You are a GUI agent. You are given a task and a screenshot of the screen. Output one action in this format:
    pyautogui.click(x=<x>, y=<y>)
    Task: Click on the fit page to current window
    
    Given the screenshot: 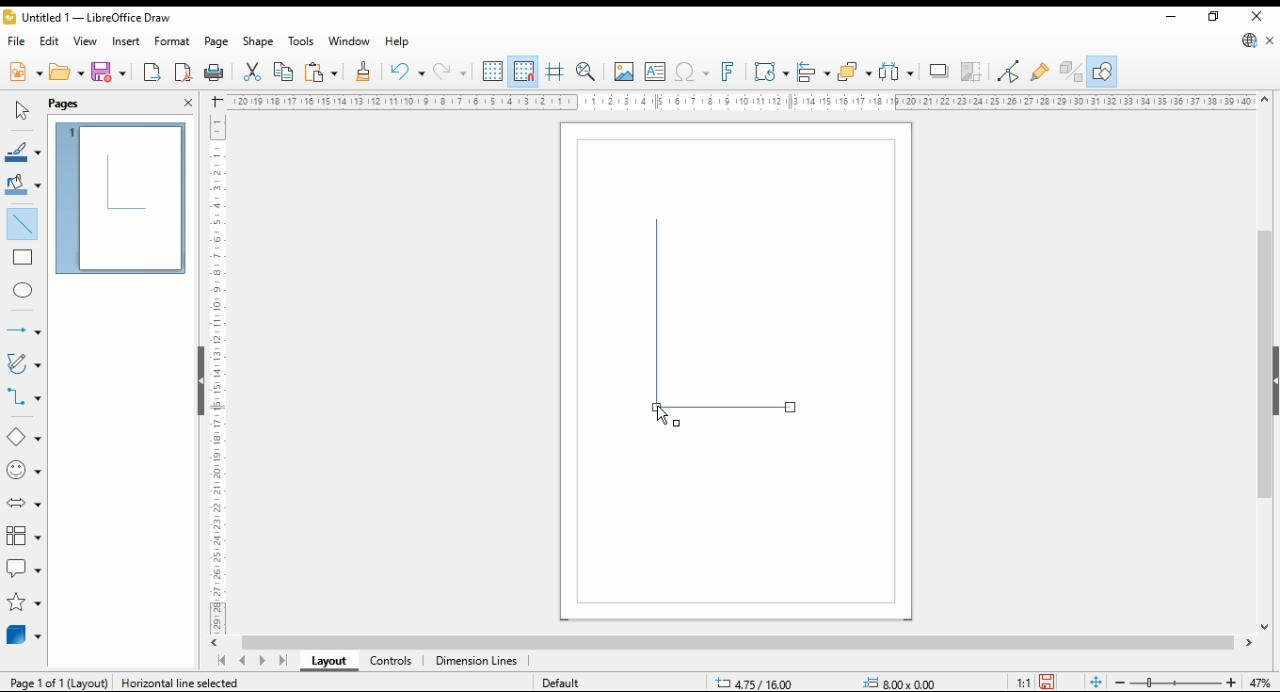 What is the action you would take?
    pyautogui.click(x=1096, y=682)
    